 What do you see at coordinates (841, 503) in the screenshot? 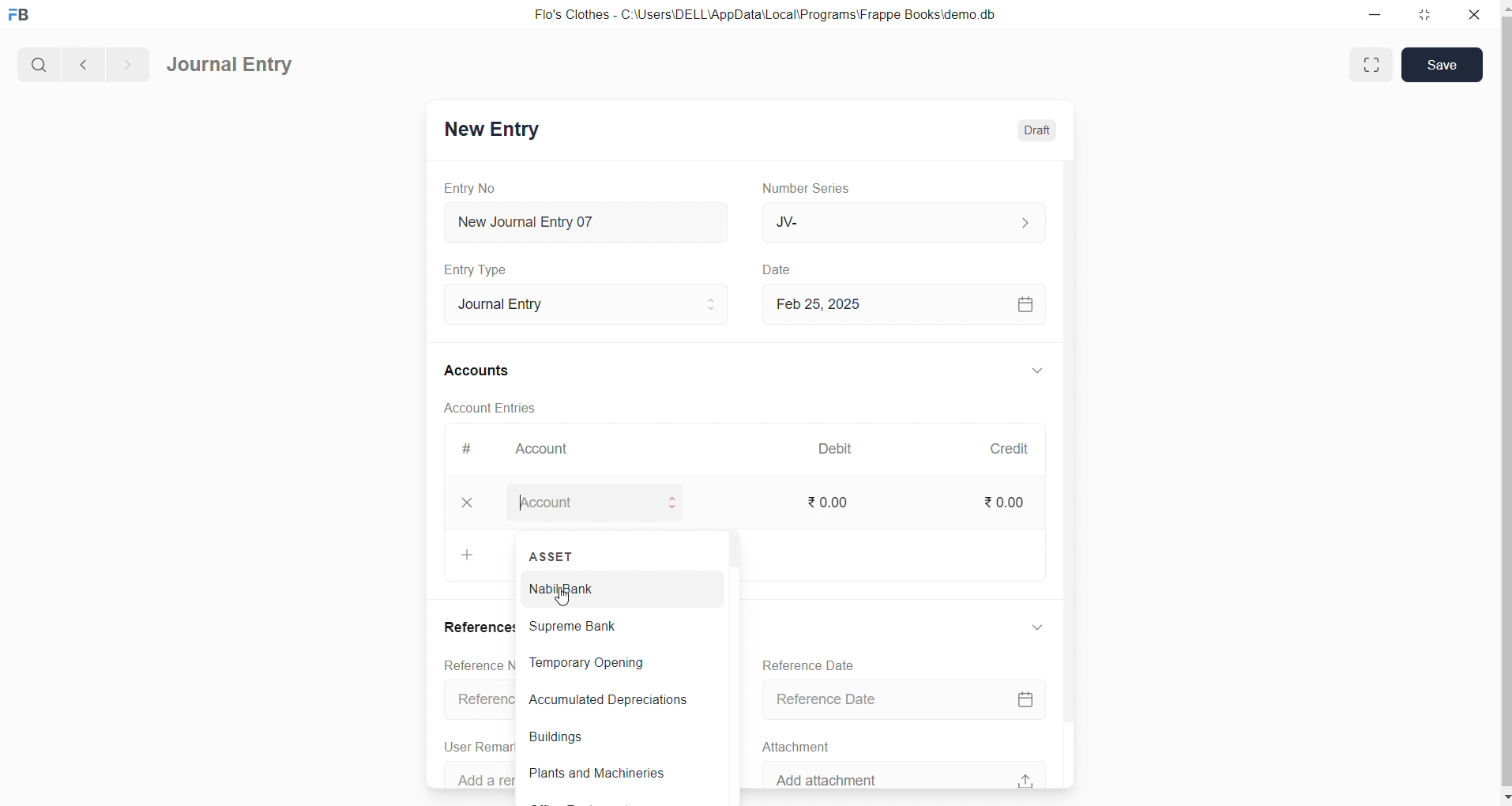
I see `₹ 0.00` at bounding box center [841, 503].